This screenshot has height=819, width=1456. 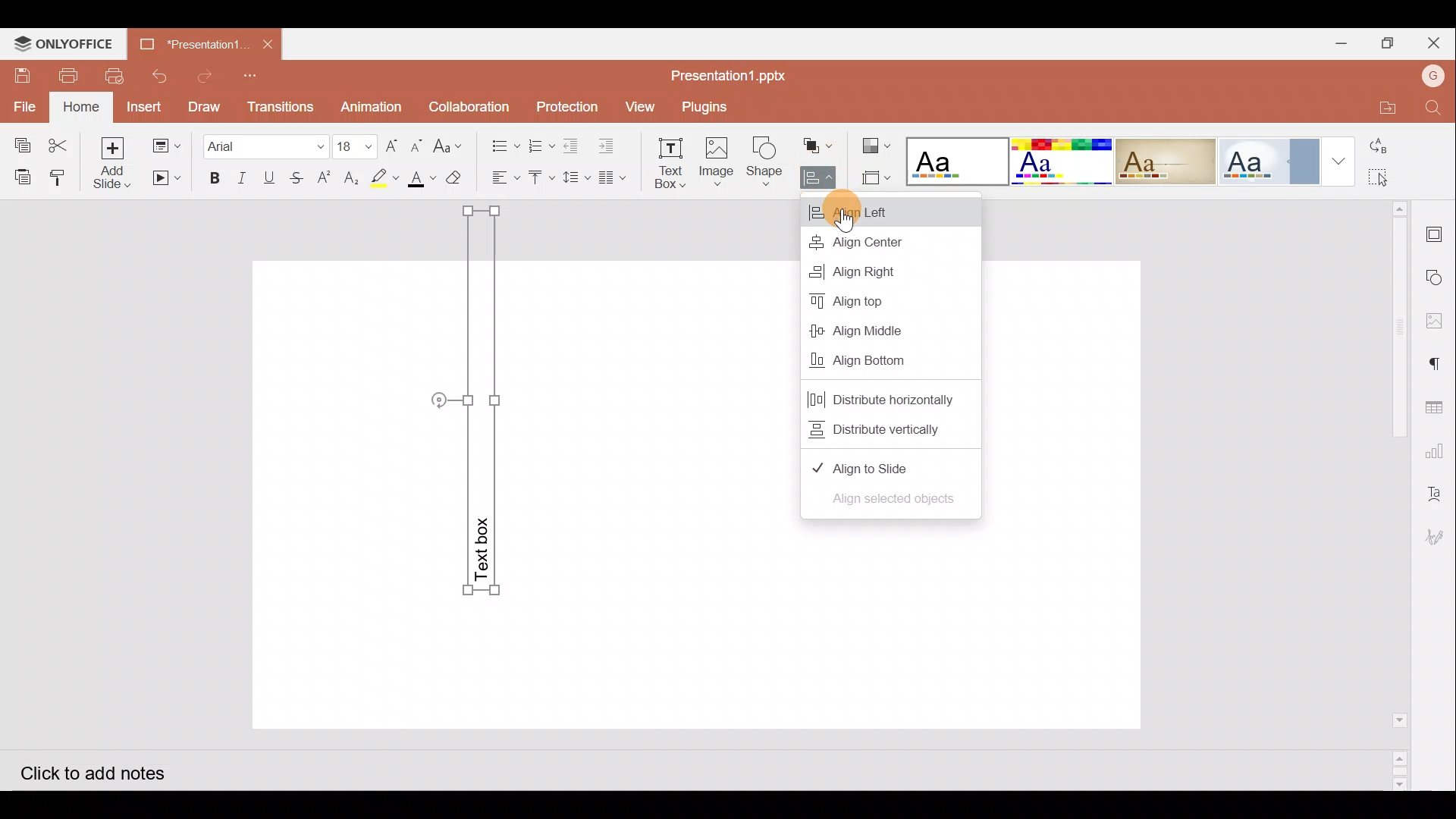 What do you see at coordinates (255, 75) in the screenshot?
I see `Customize quick access` at bounding box center [255, 75].